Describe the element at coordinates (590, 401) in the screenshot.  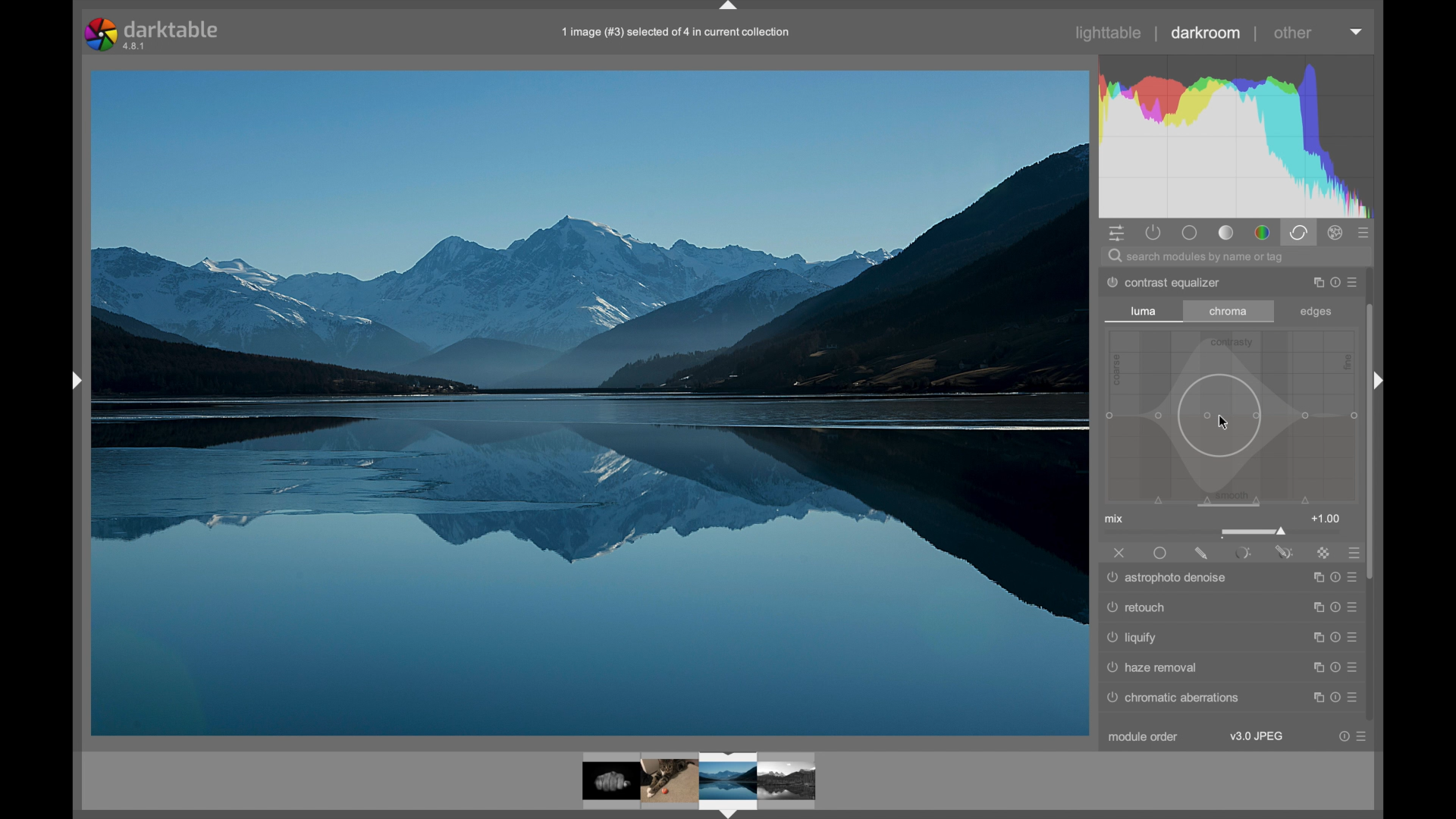
I see `photo` at that location.